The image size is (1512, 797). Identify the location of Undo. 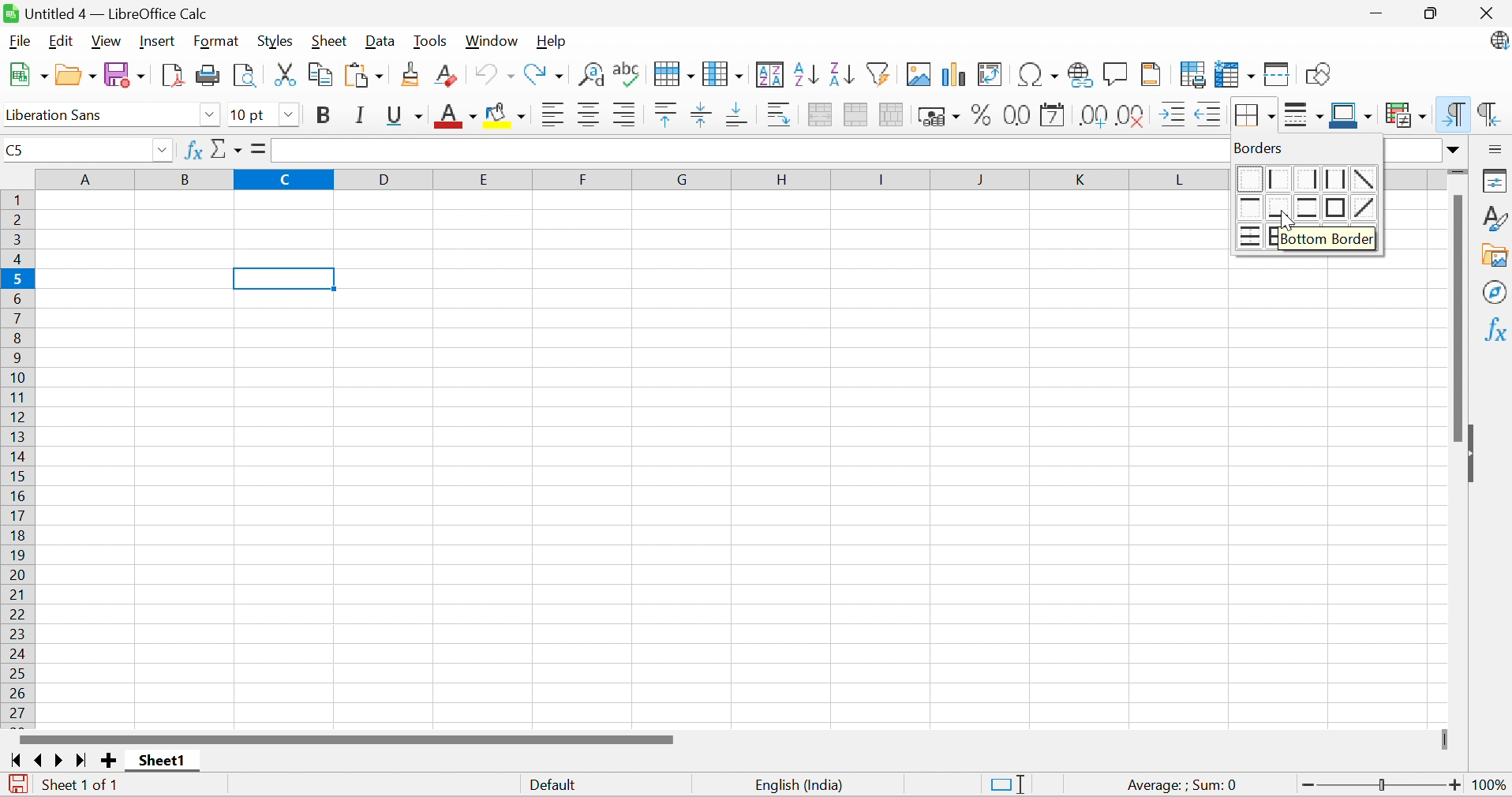
(494, 74).